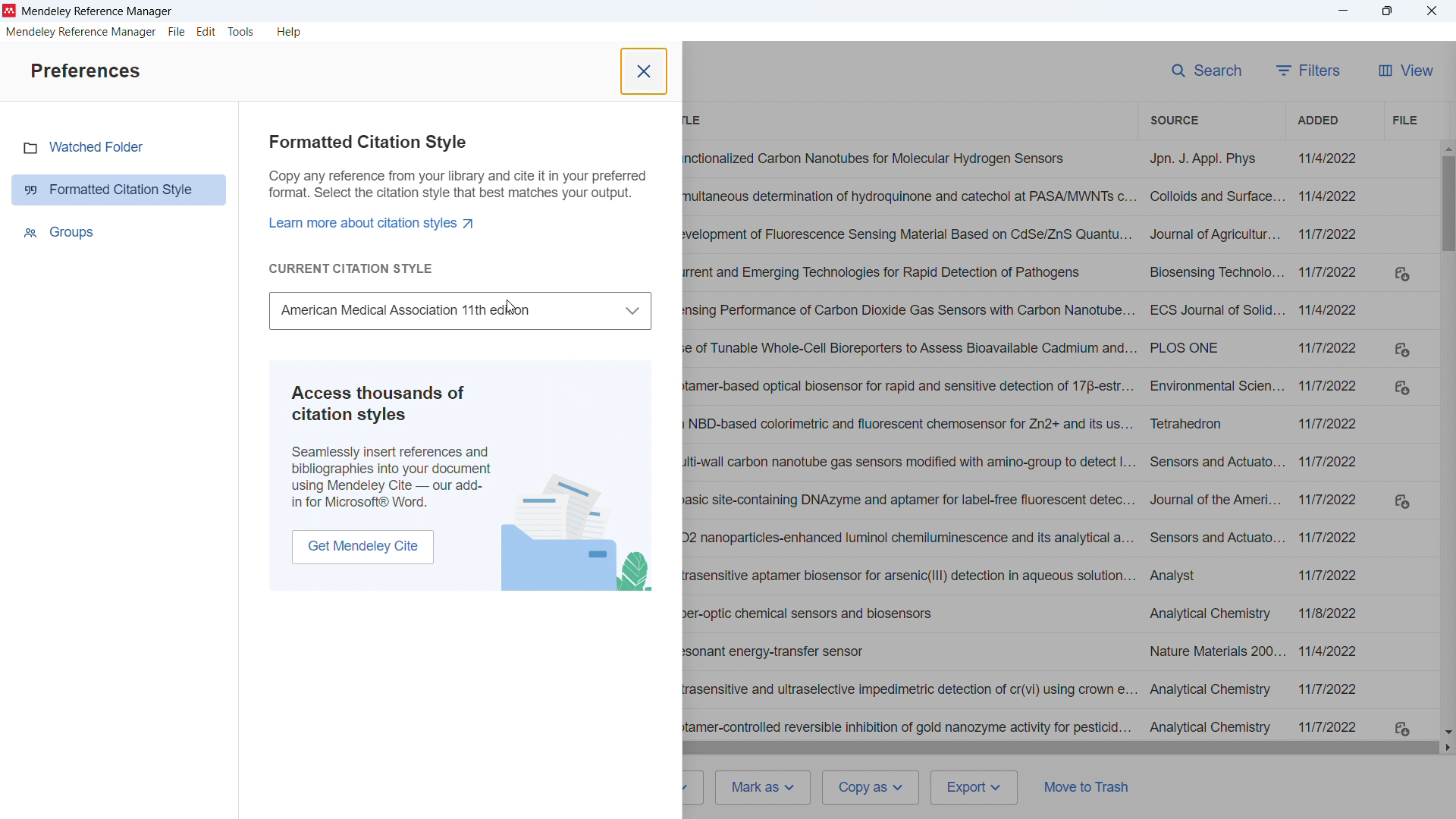 The height and width of the screenshot is (819, 1456). What do you see at coordinates (871, 788) in the screenshot?
I see `Copy as ` at bounding box center [871, 788].